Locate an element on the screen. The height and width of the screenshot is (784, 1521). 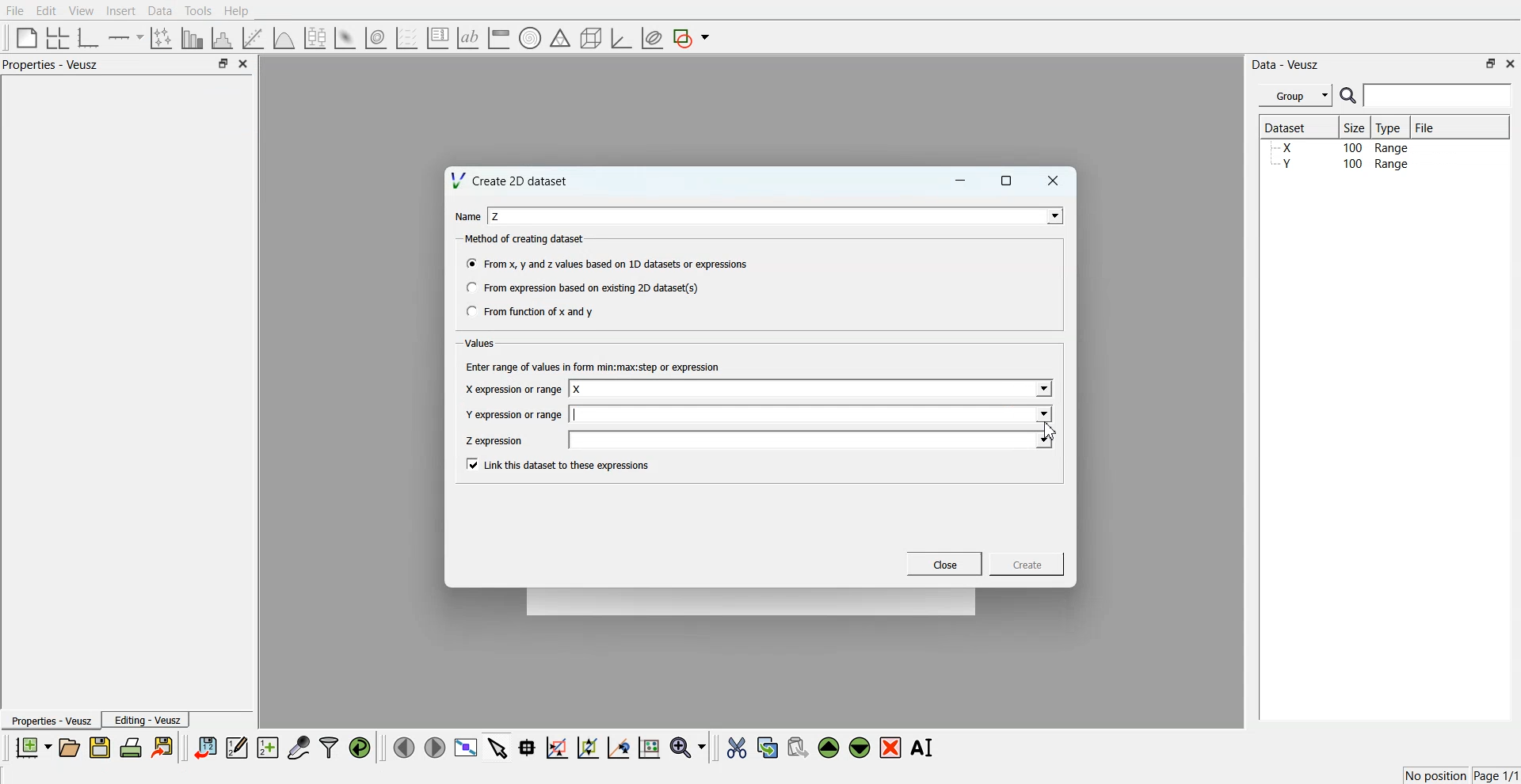
Edit is located at coordinates (45, 11).